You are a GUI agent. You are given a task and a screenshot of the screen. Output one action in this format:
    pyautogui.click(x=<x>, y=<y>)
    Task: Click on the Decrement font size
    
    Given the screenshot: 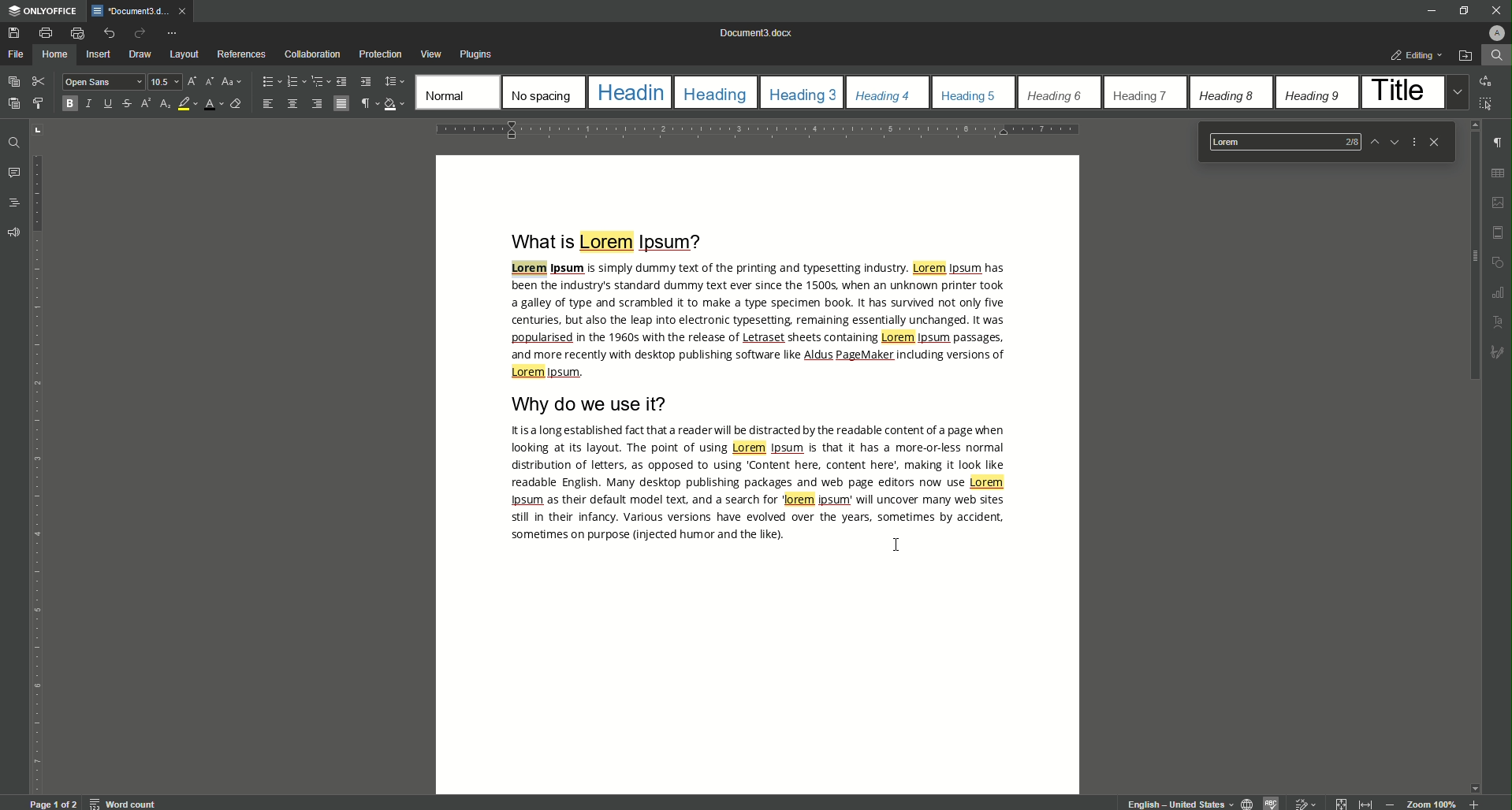 What is the action you would take?
    pyautogui.click(x=209, y=82)
    